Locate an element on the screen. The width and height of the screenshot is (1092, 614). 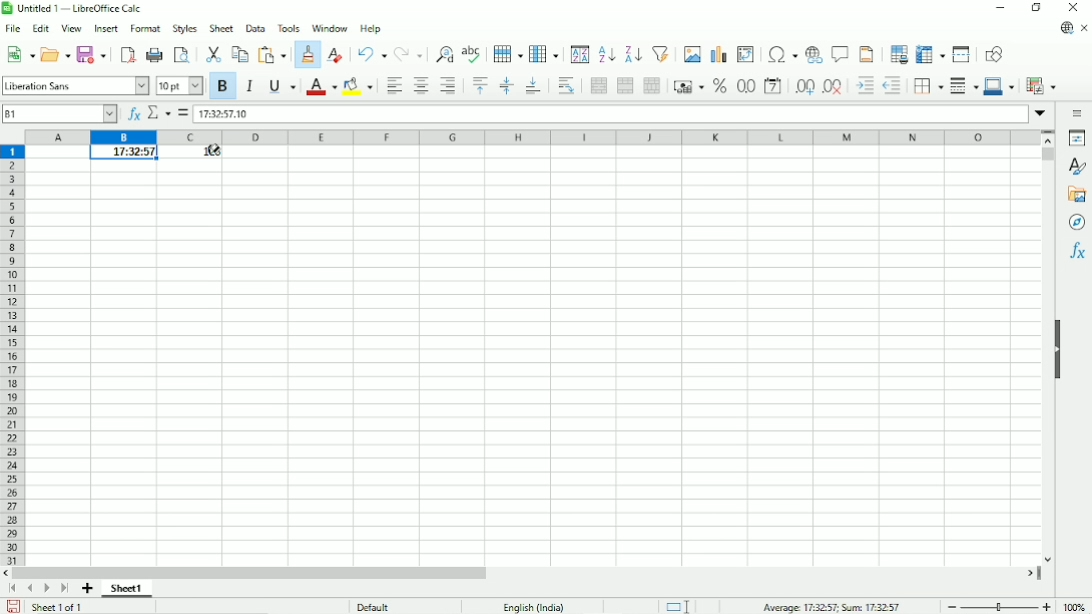
Insert is located at coordinates (105, 30).